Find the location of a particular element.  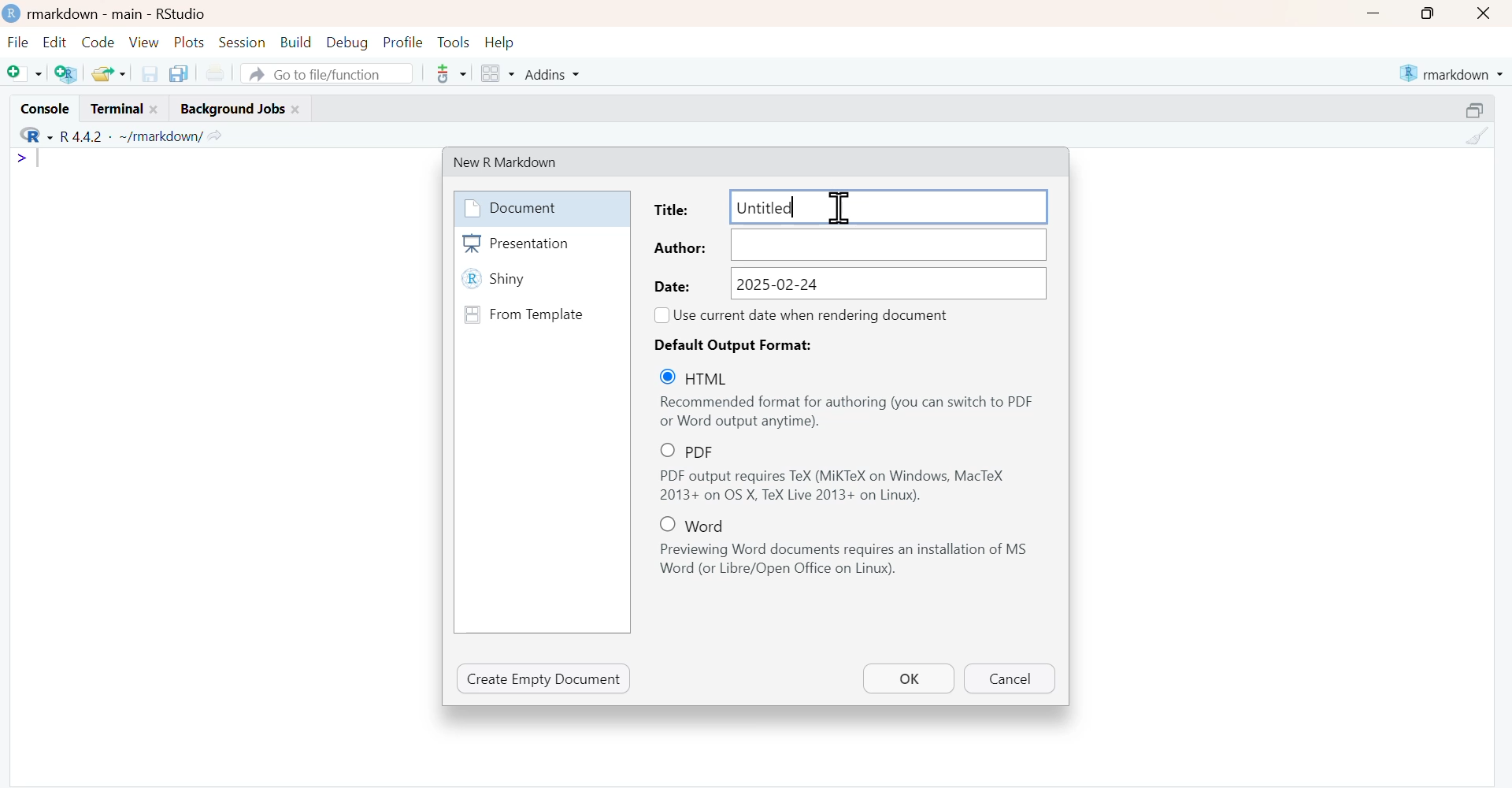

Date - 2025-02-24 is located at coordinates (849, 283).